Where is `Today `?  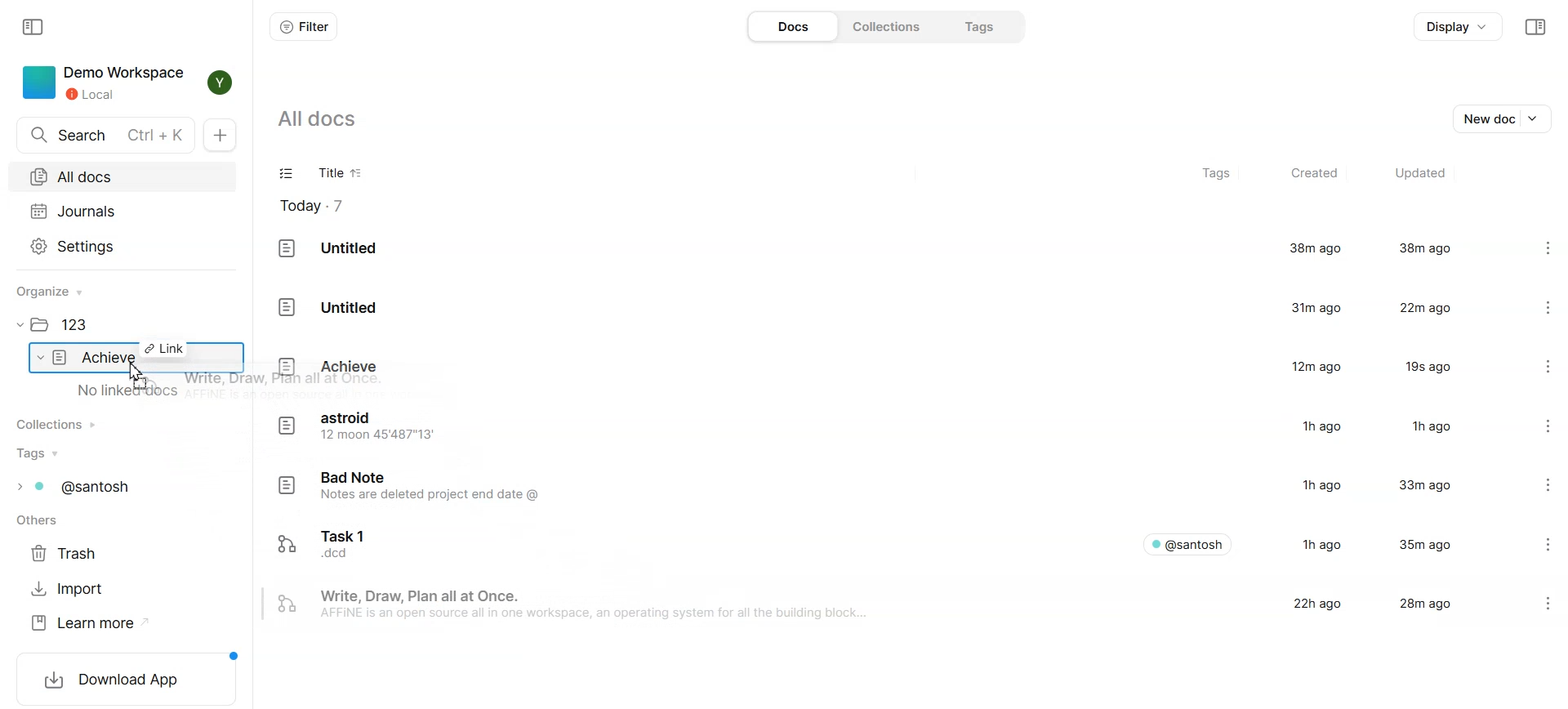
Today  is located at coordinates (321, 206).